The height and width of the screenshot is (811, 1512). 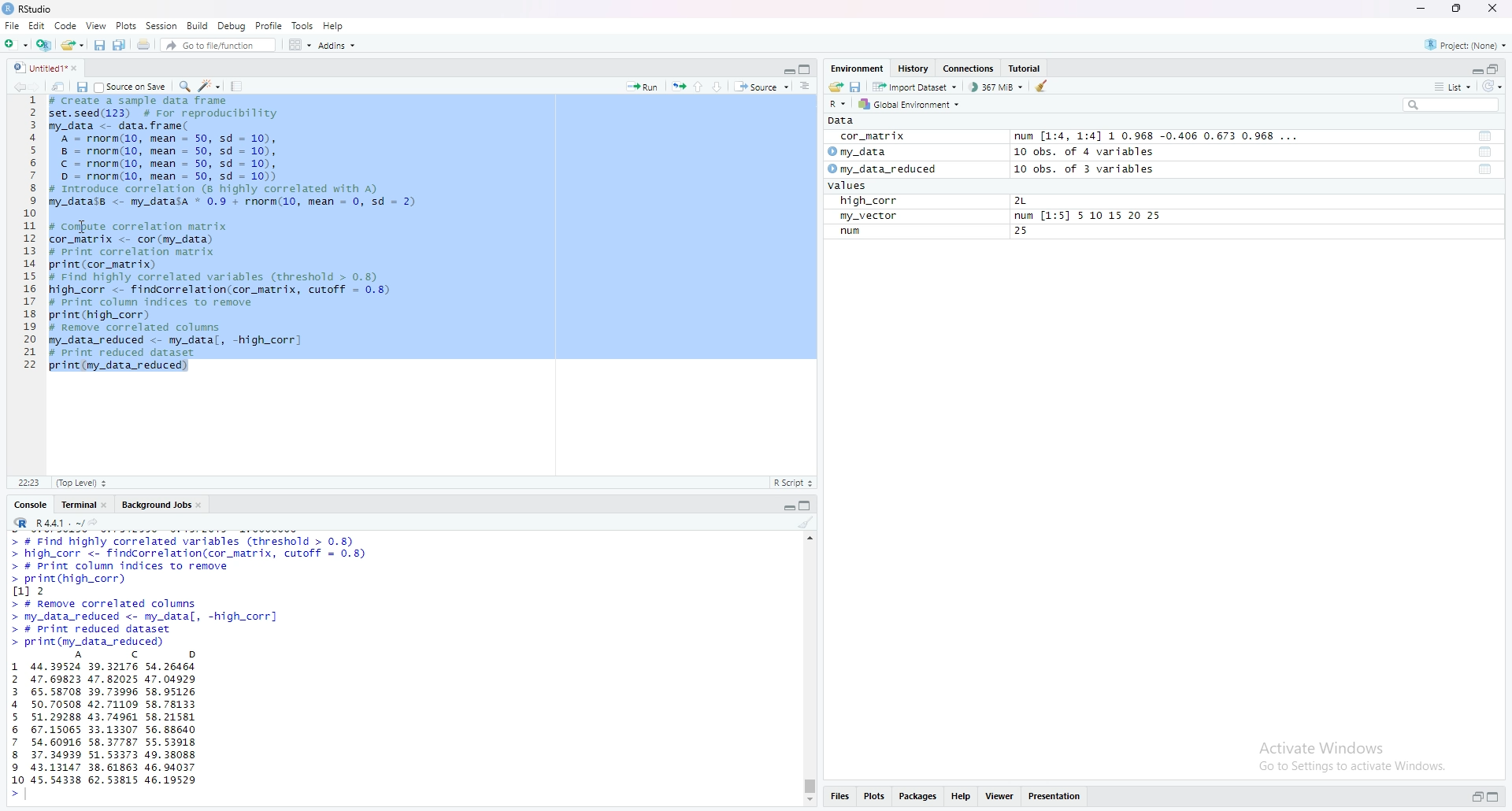 What do you see at coordinates (17, 87) in the screenshot?
I see `backward` at bounding box center [17, 87].